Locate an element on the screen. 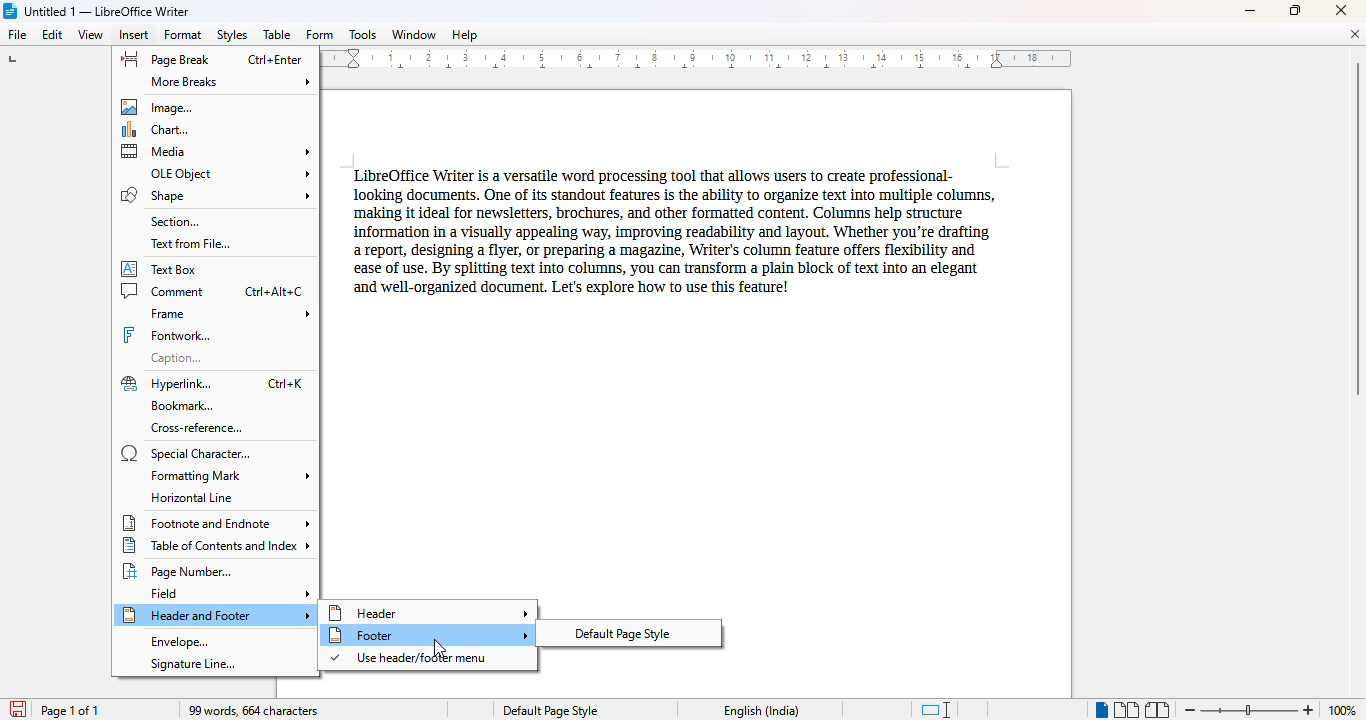 The image size is (1366, 720). form is located at coordinates (319, 35).